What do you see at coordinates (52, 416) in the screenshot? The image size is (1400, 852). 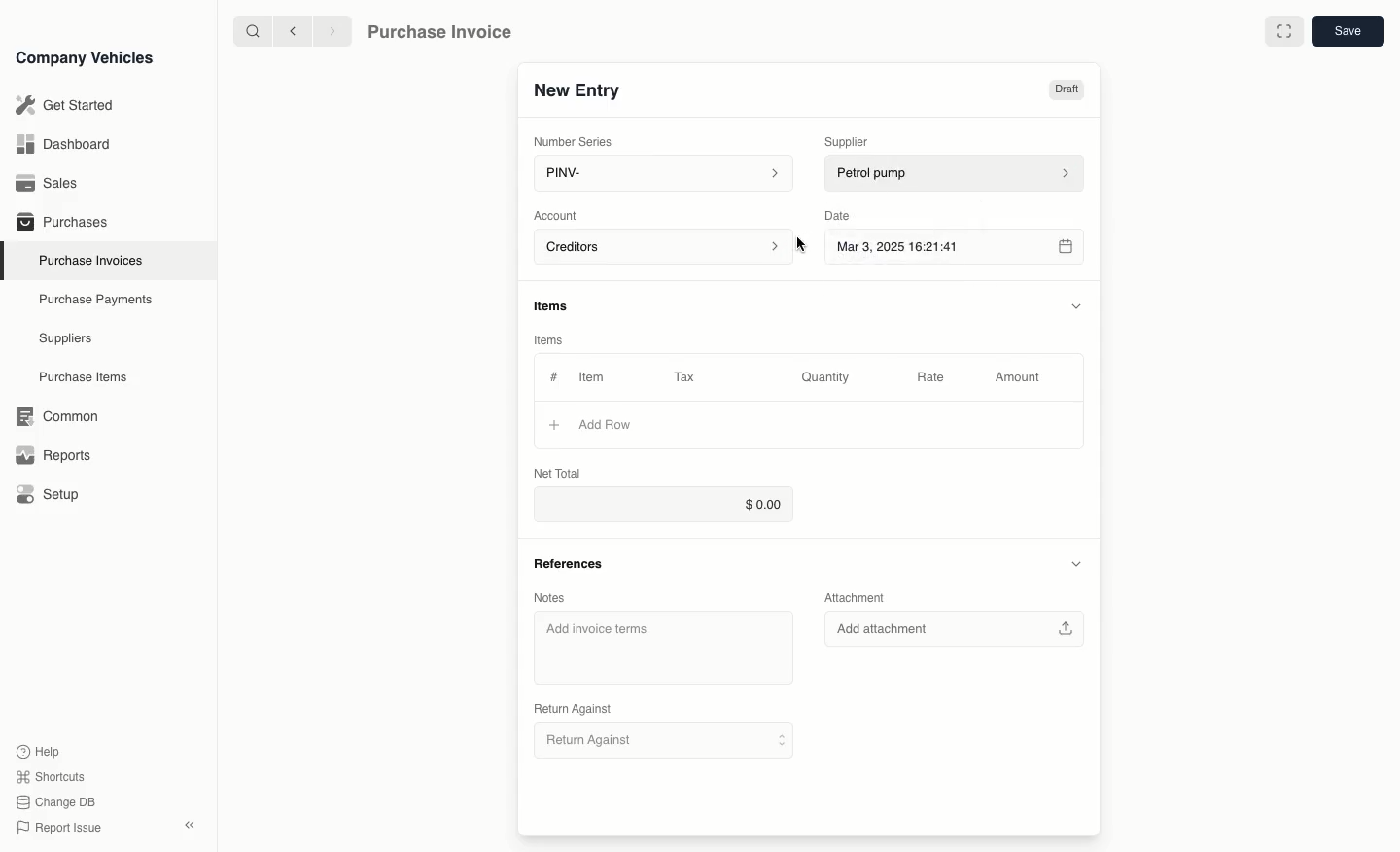 I see `Common` at bounding box center [52, 416].